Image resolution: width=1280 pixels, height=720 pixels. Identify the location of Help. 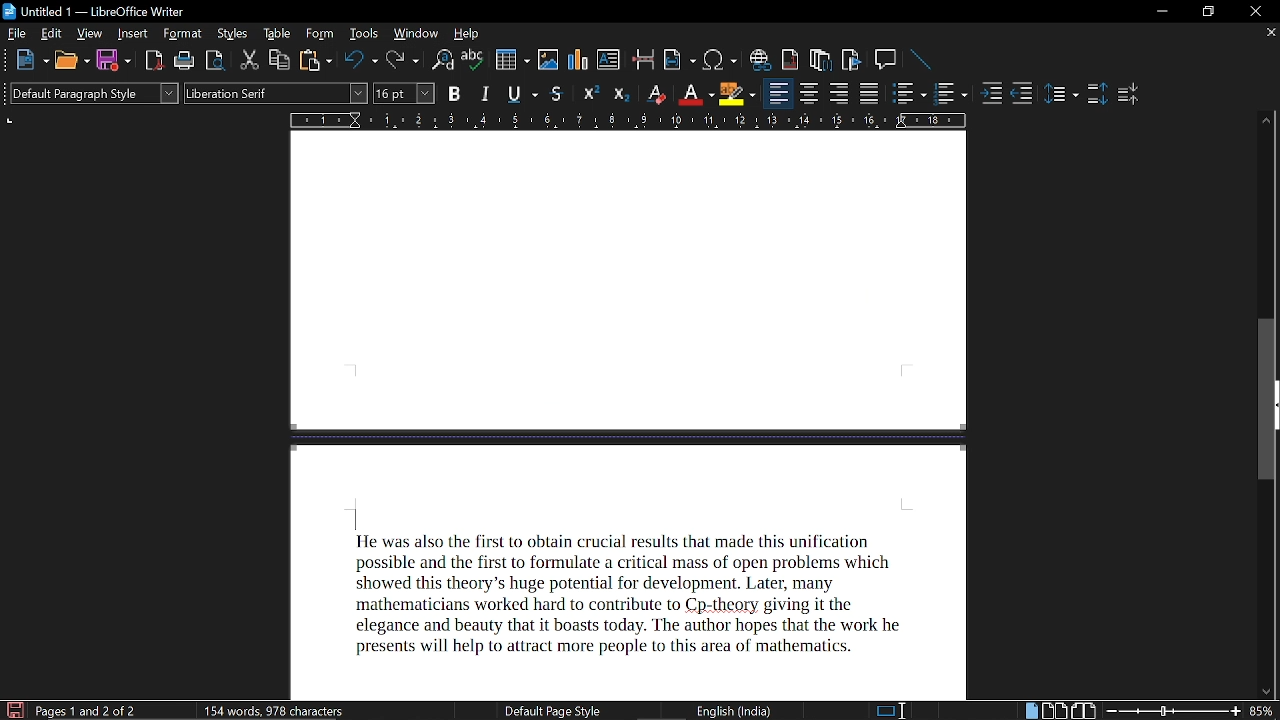
(469, 35).